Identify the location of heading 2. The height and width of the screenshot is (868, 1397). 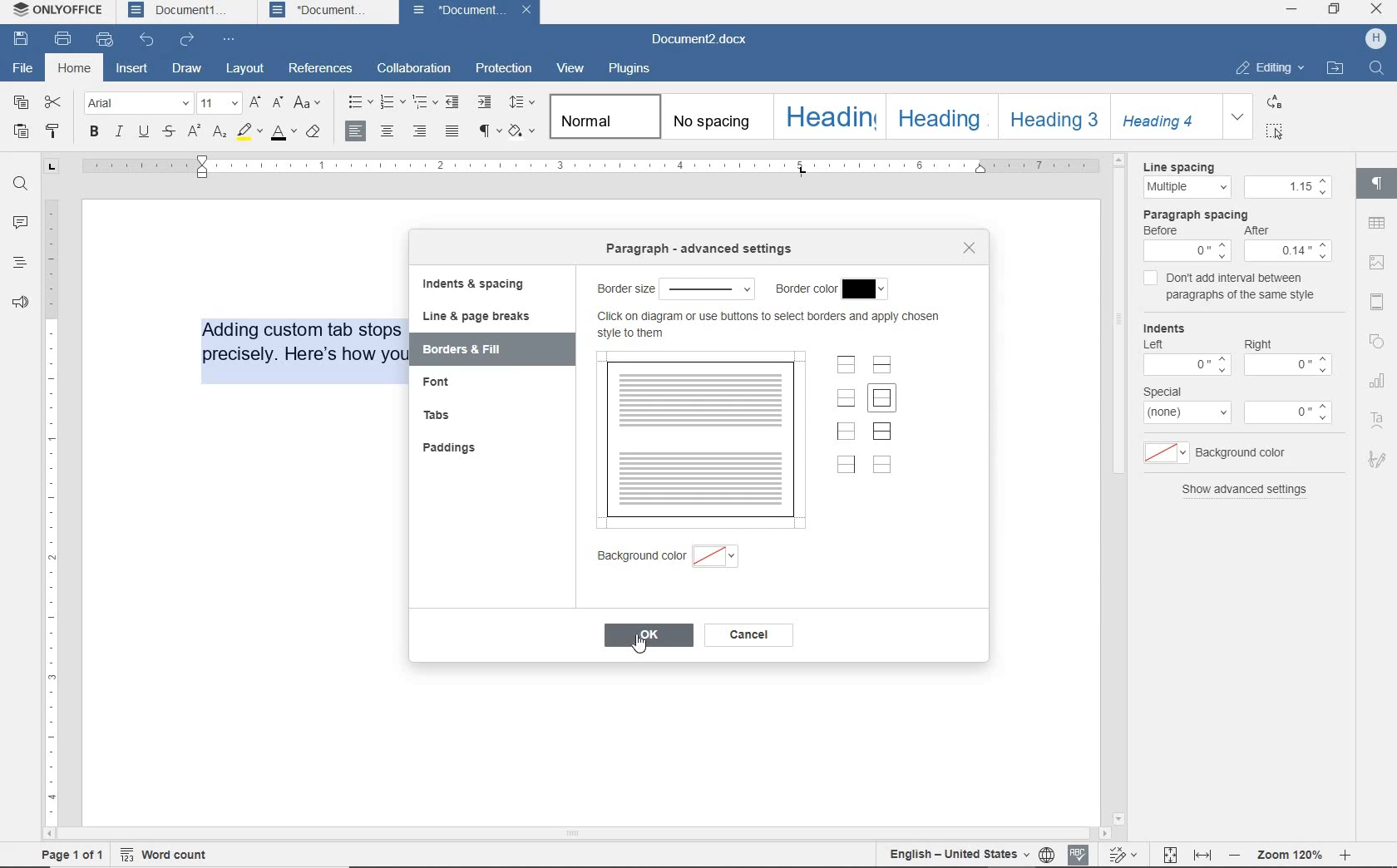
(940, 117).